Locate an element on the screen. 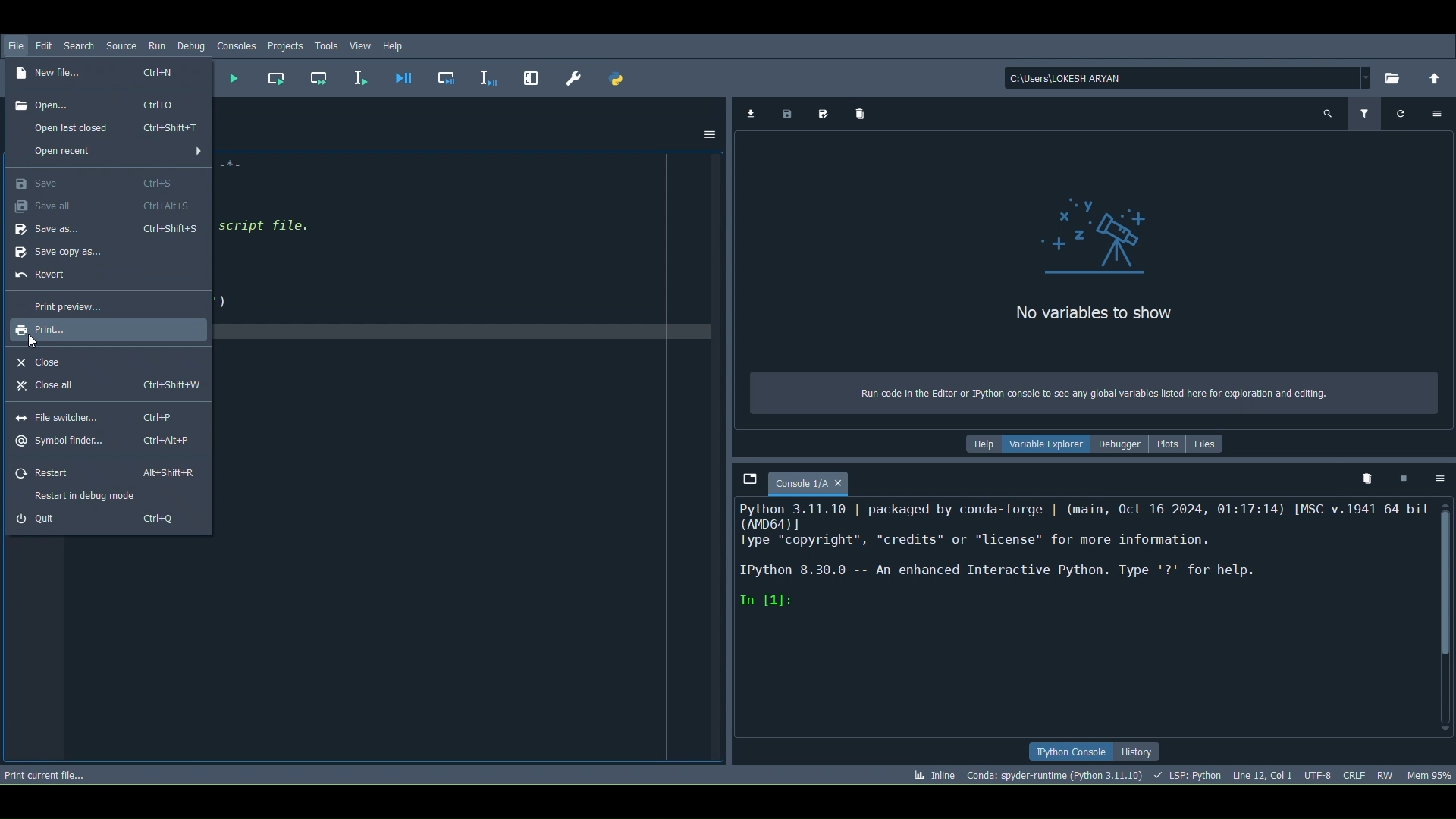  Browse tabs is located at coordinates (743, 469).